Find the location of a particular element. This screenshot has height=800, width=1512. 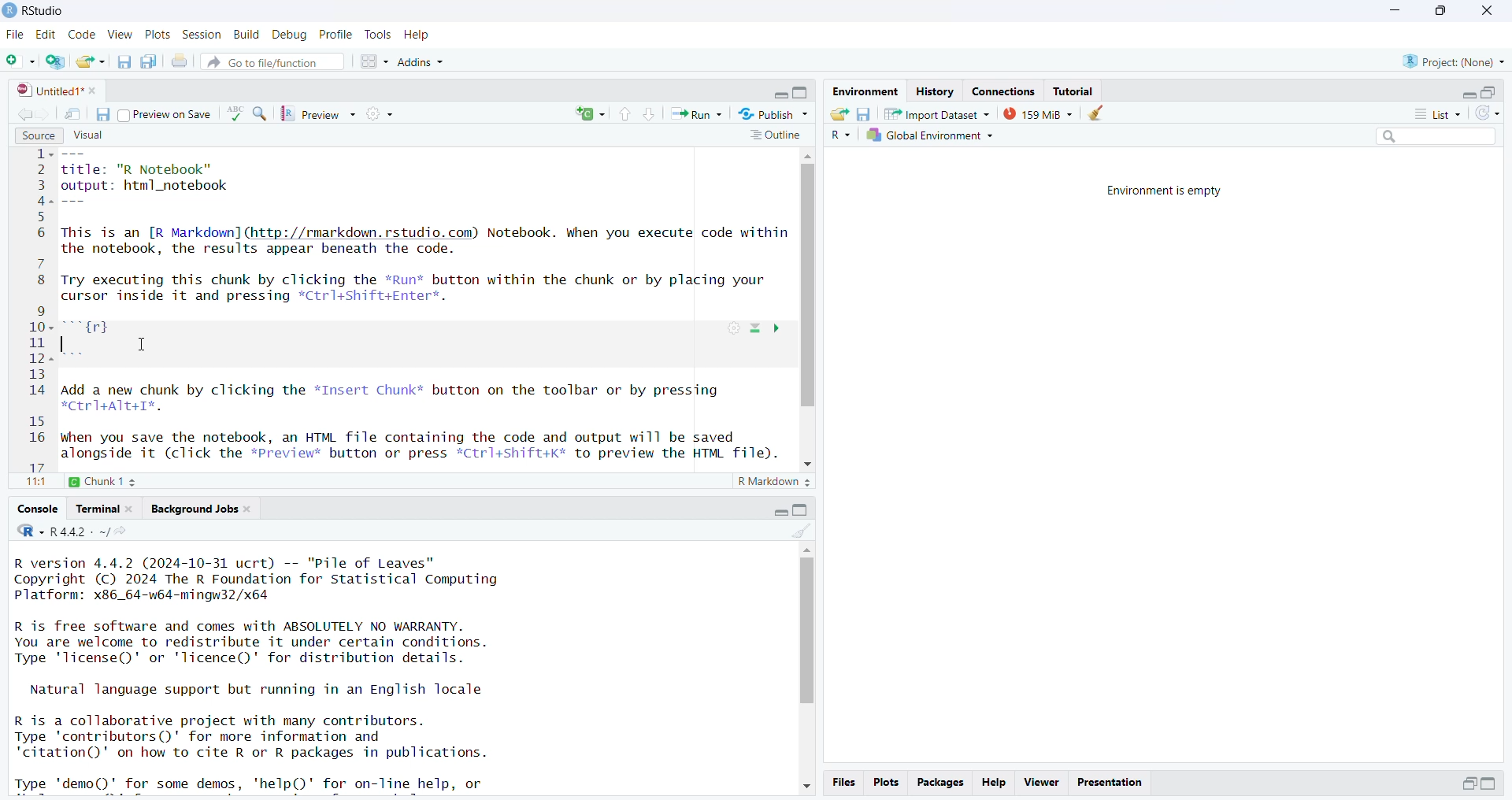

R is located at coordinates (838, 136).